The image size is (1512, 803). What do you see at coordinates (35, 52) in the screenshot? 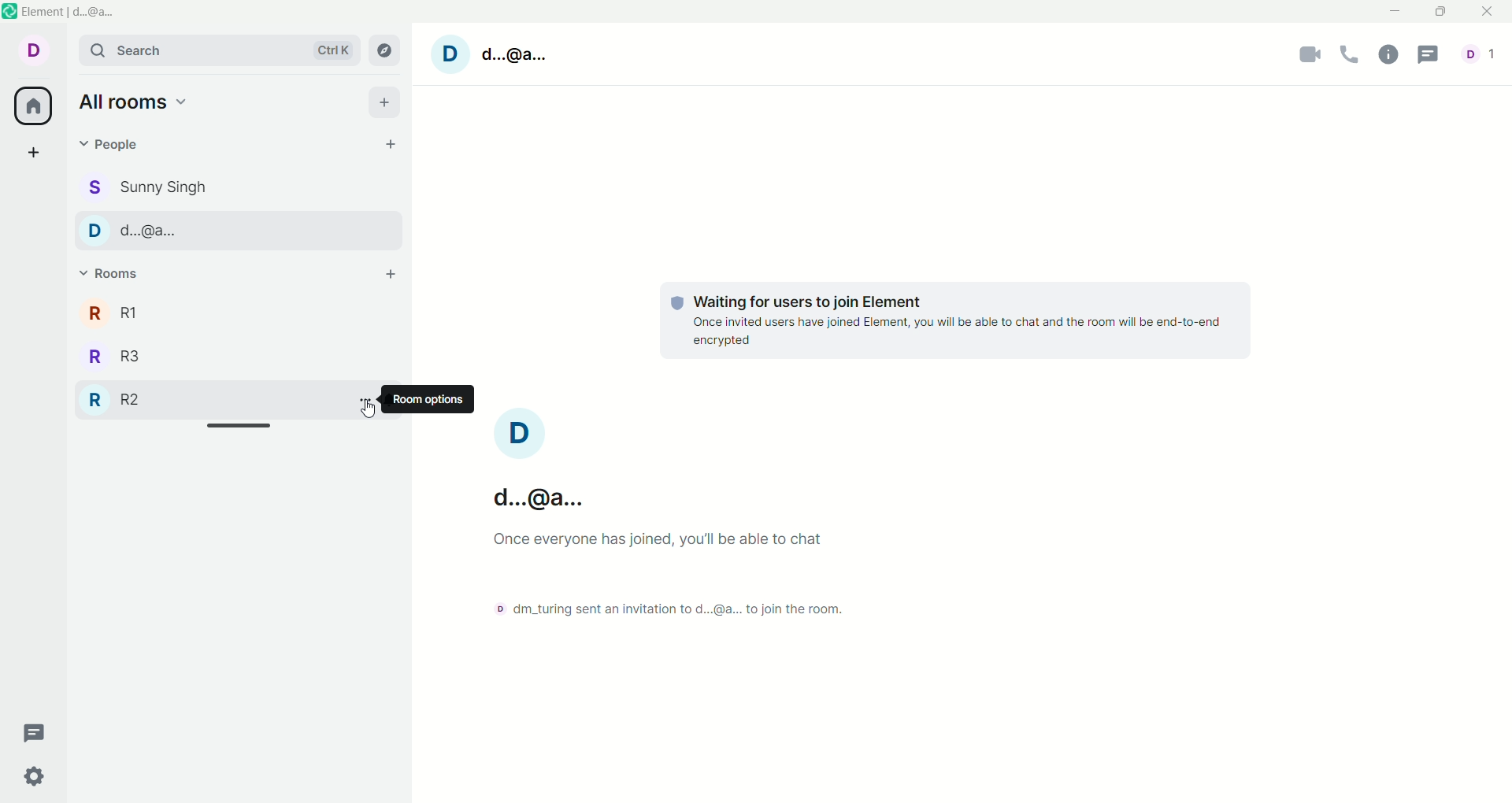
I see `account` at bounding box center [35, 52].